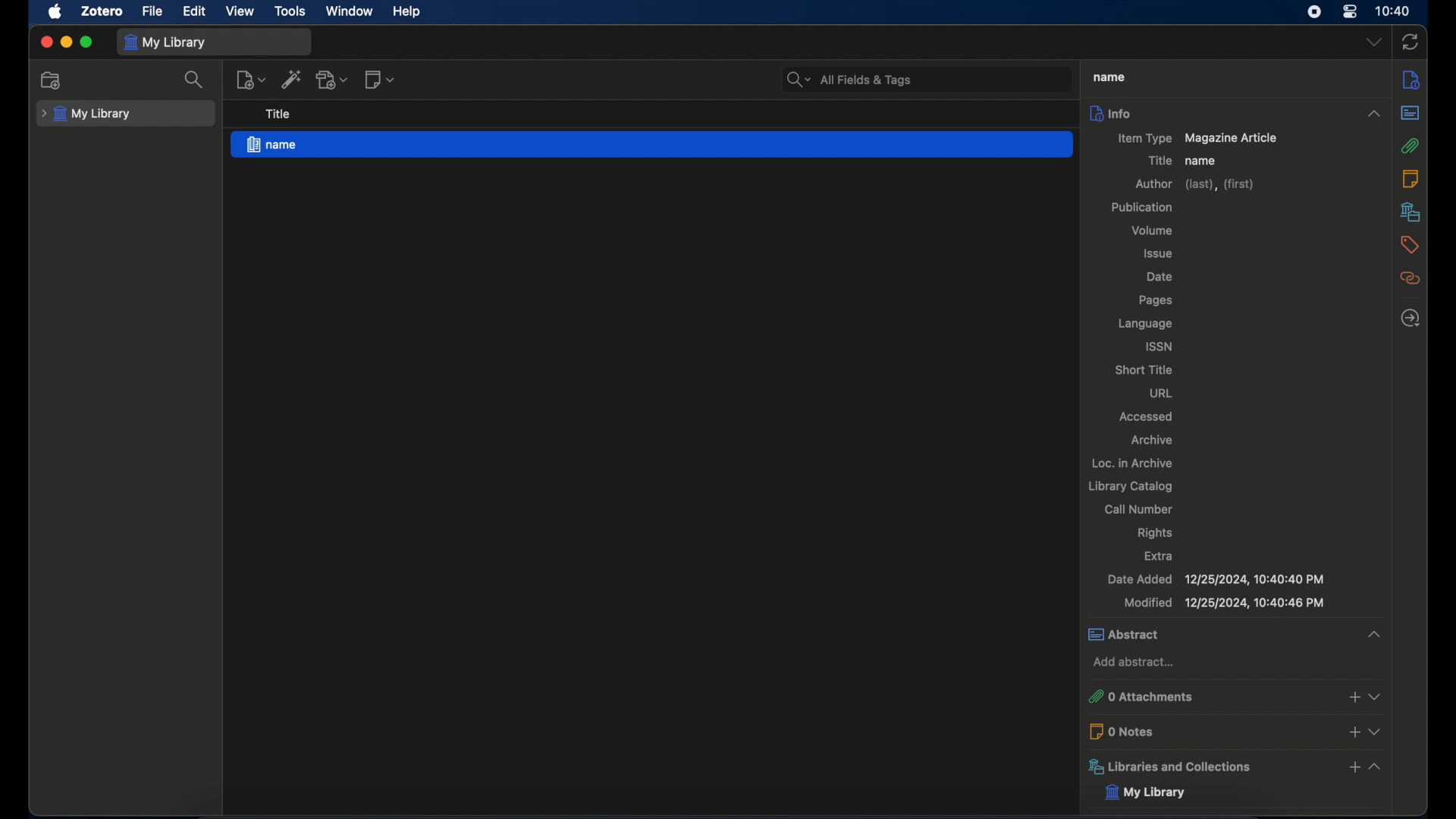 This screenshot has width=1456, height=819. I want to click on add item by identifier, so click(292, 79).